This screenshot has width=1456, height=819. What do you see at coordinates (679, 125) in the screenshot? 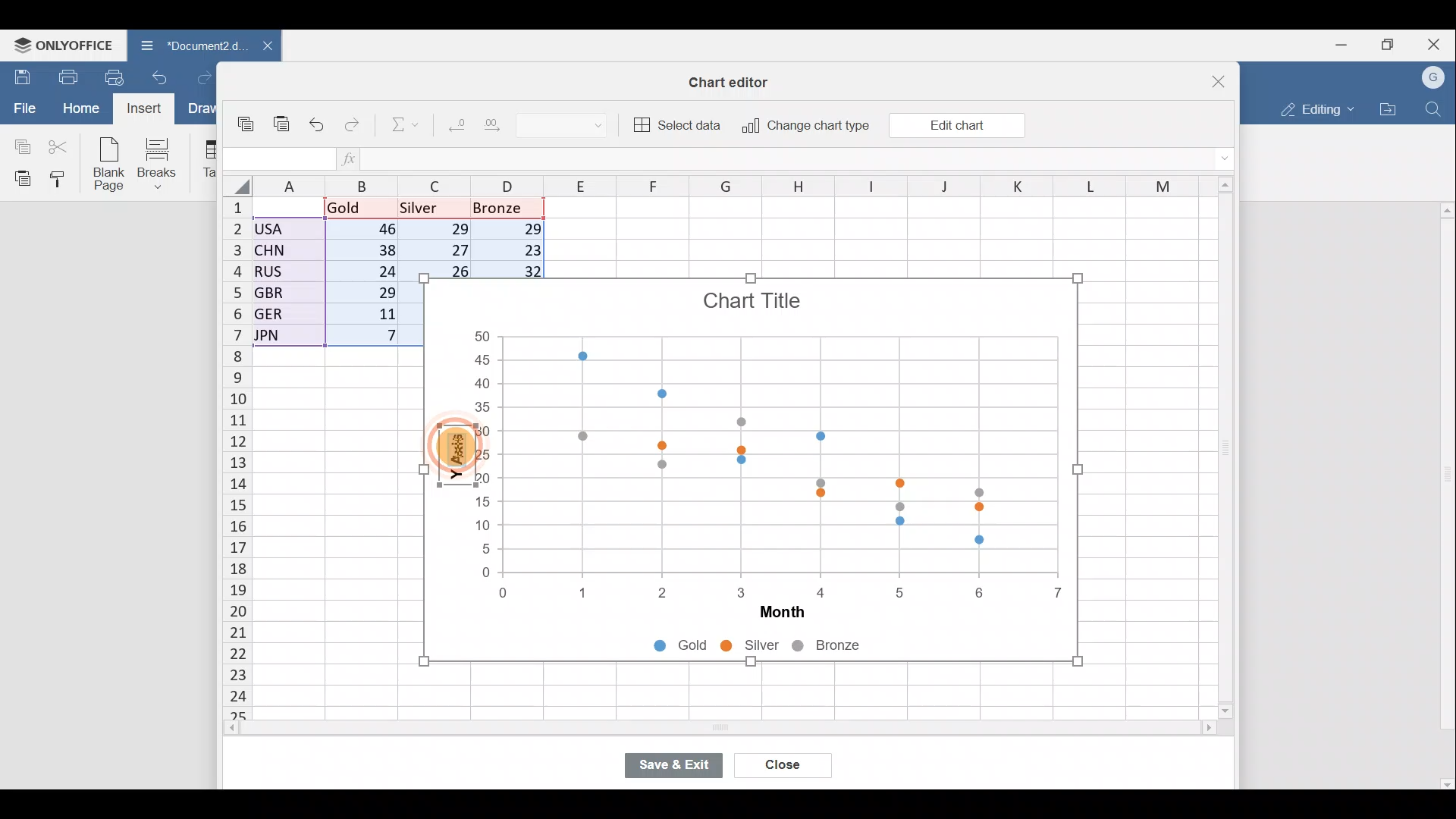
I see `Select data` at bounding box center [679, 125].